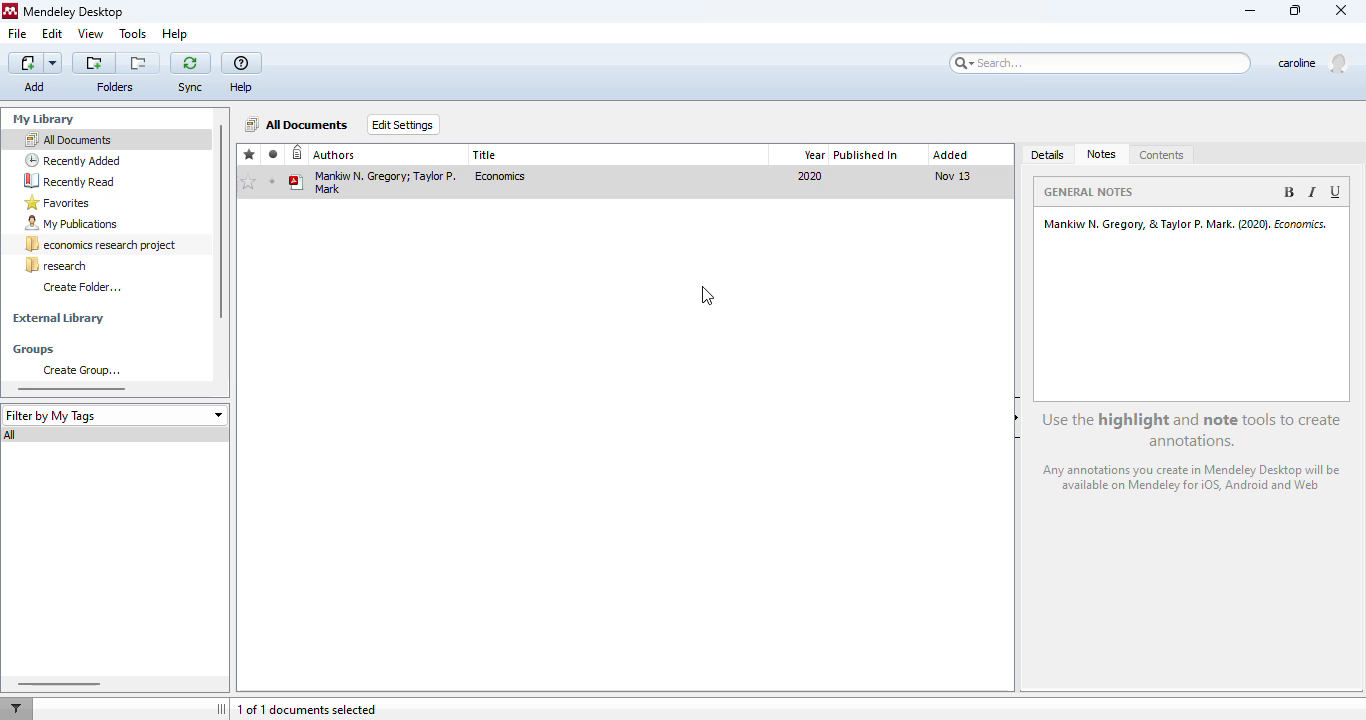 The image size is (1366, 720). Describe the element at coordinates (58, 203) in the screenshot. I see `favorites` at that location.